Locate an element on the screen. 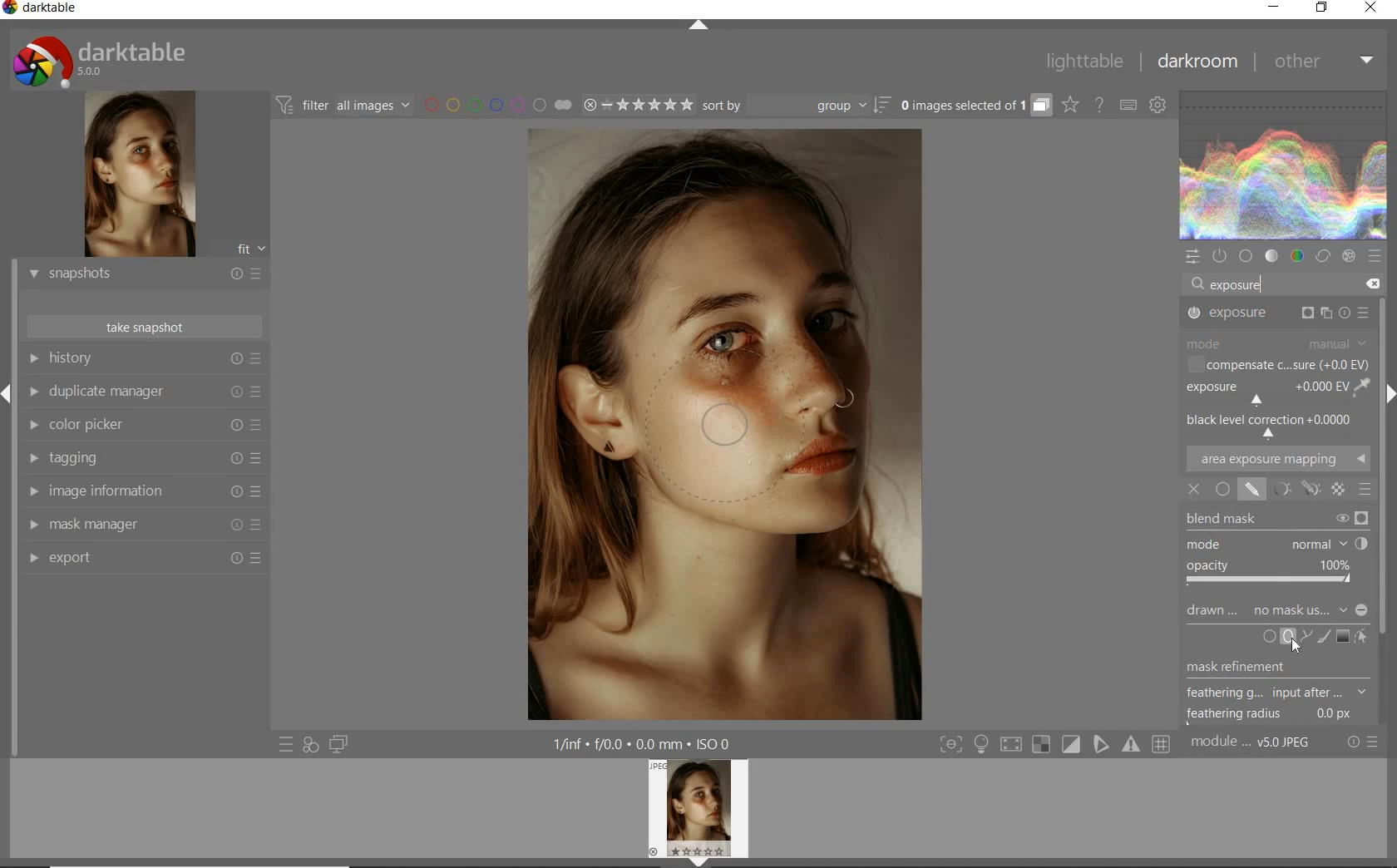 The image size is (1397, 868). toggle modes is located at coordinates (1055, 746).